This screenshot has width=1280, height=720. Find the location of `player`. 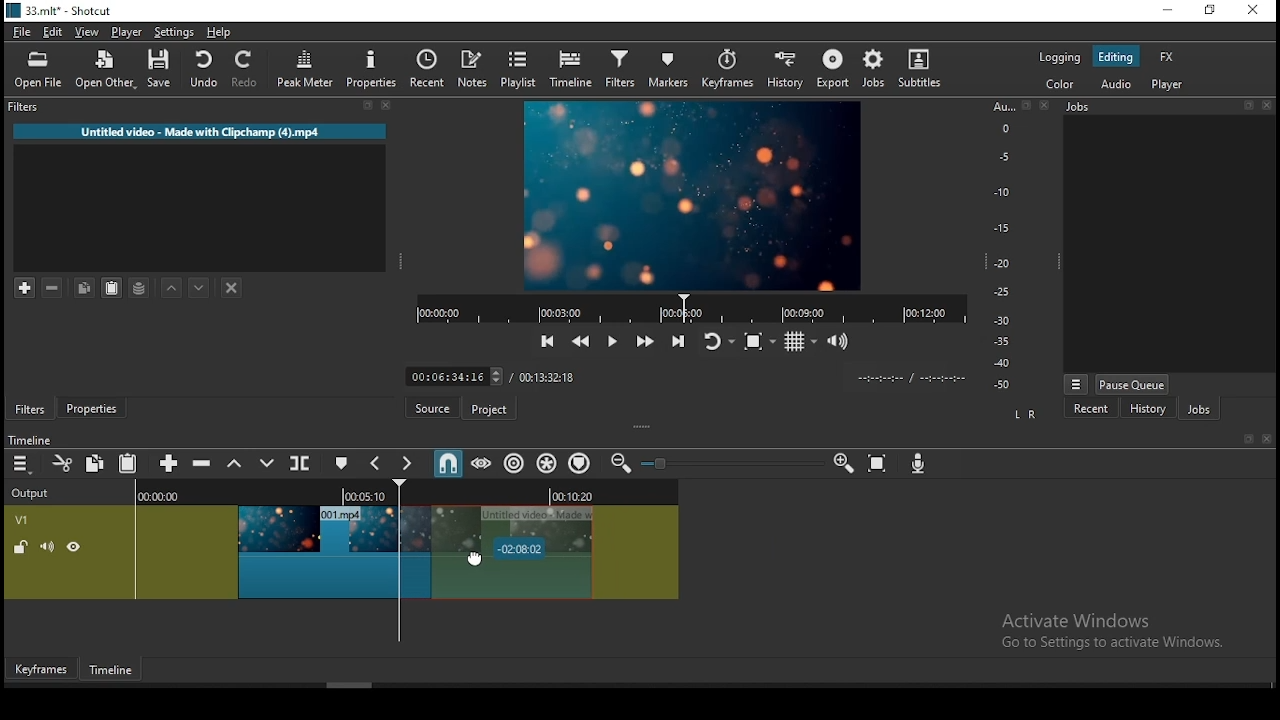

player is located at coordinates (127, 33).